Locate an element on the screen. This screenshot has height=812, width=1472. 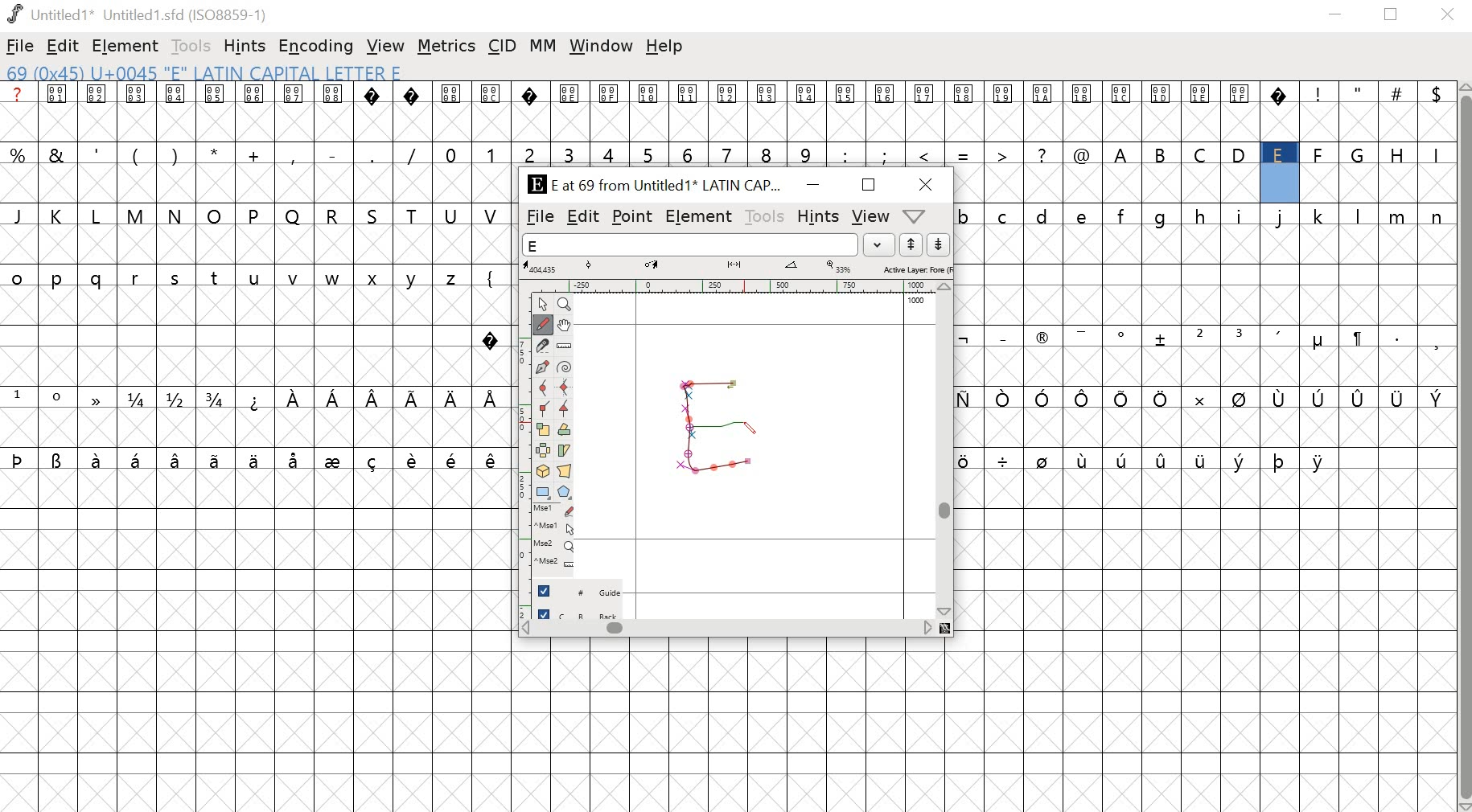
view is located at coordinates (869, 217).